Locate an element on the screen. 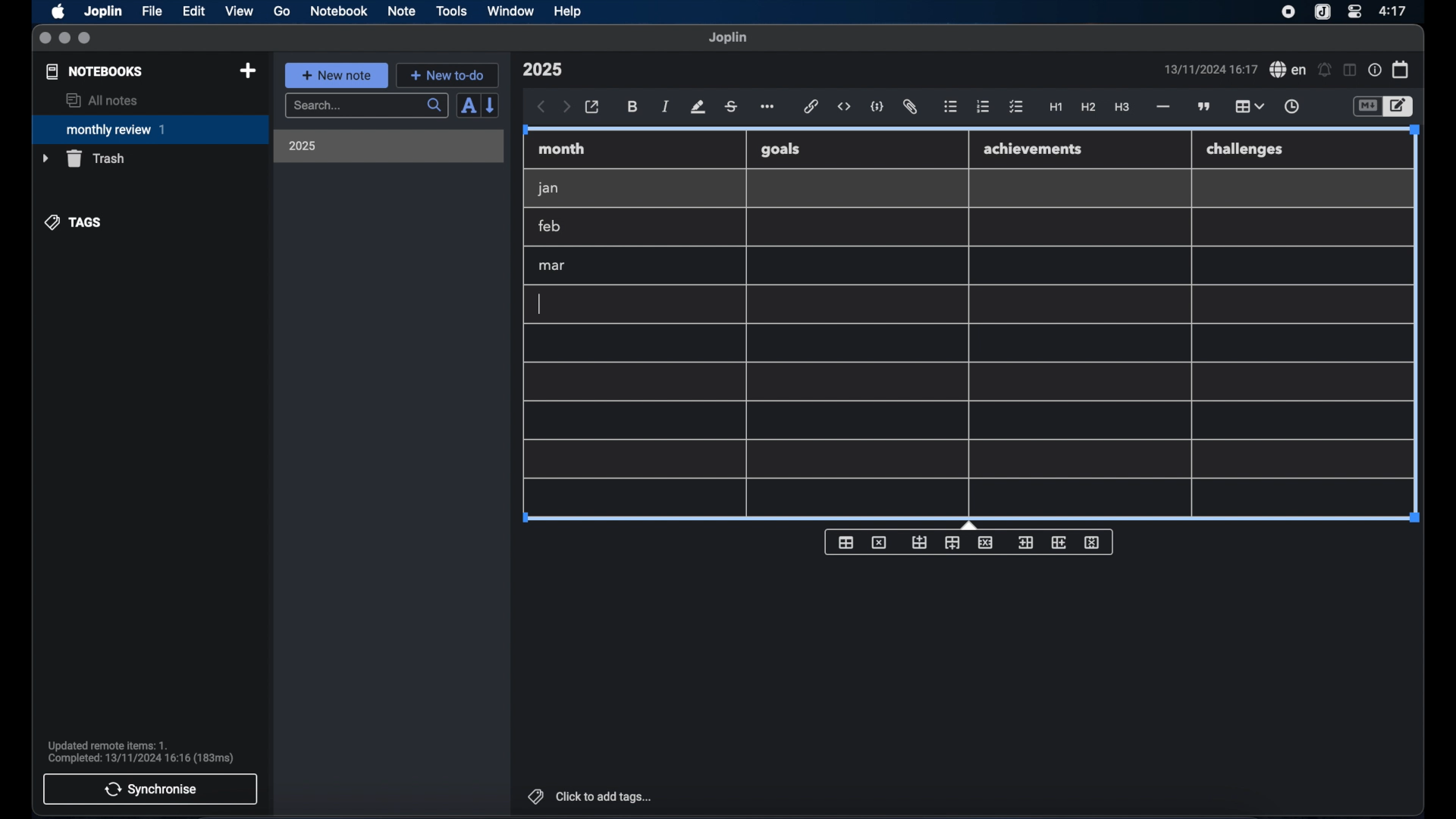 The width and height of the screenshot is (1456, 819). hyperlink is located at coordinates (811, 106).